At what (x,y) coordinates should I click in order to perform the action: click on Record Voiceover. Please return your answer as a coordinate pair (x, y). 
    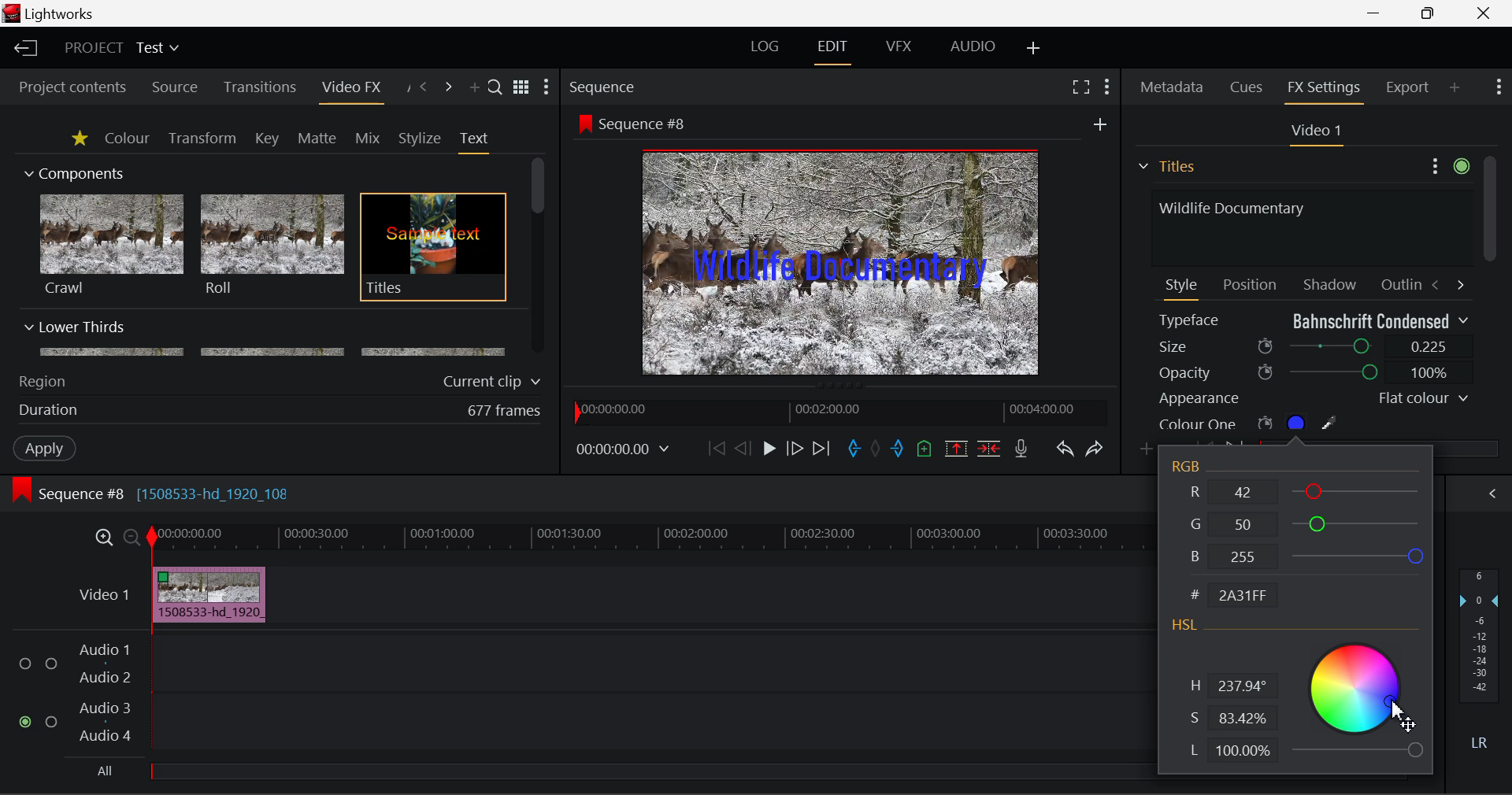
    Looking at the image, I should click on (1021, 452).